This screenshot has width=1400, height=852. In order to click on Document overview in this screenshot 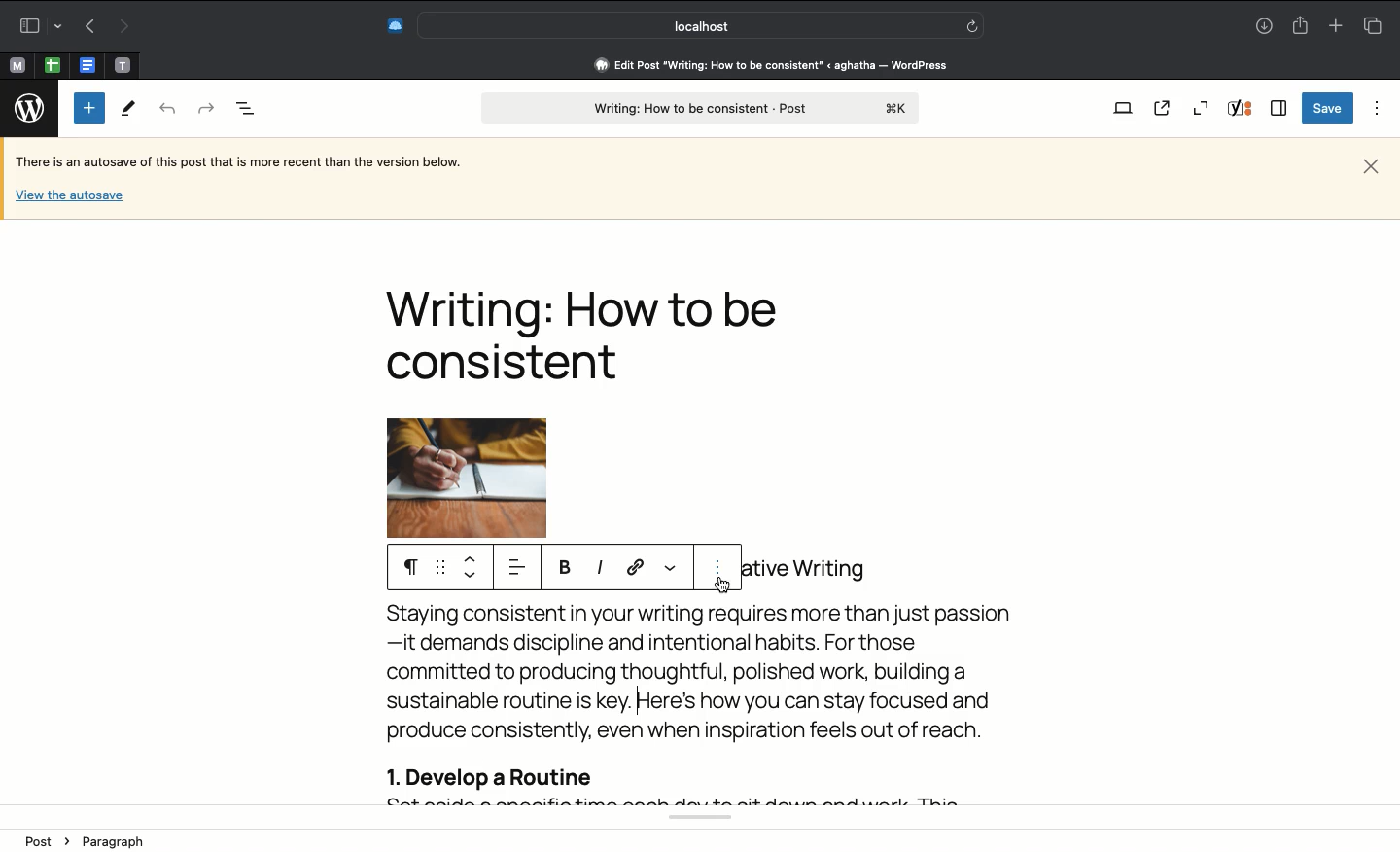, I will do `click(246, 110)`.